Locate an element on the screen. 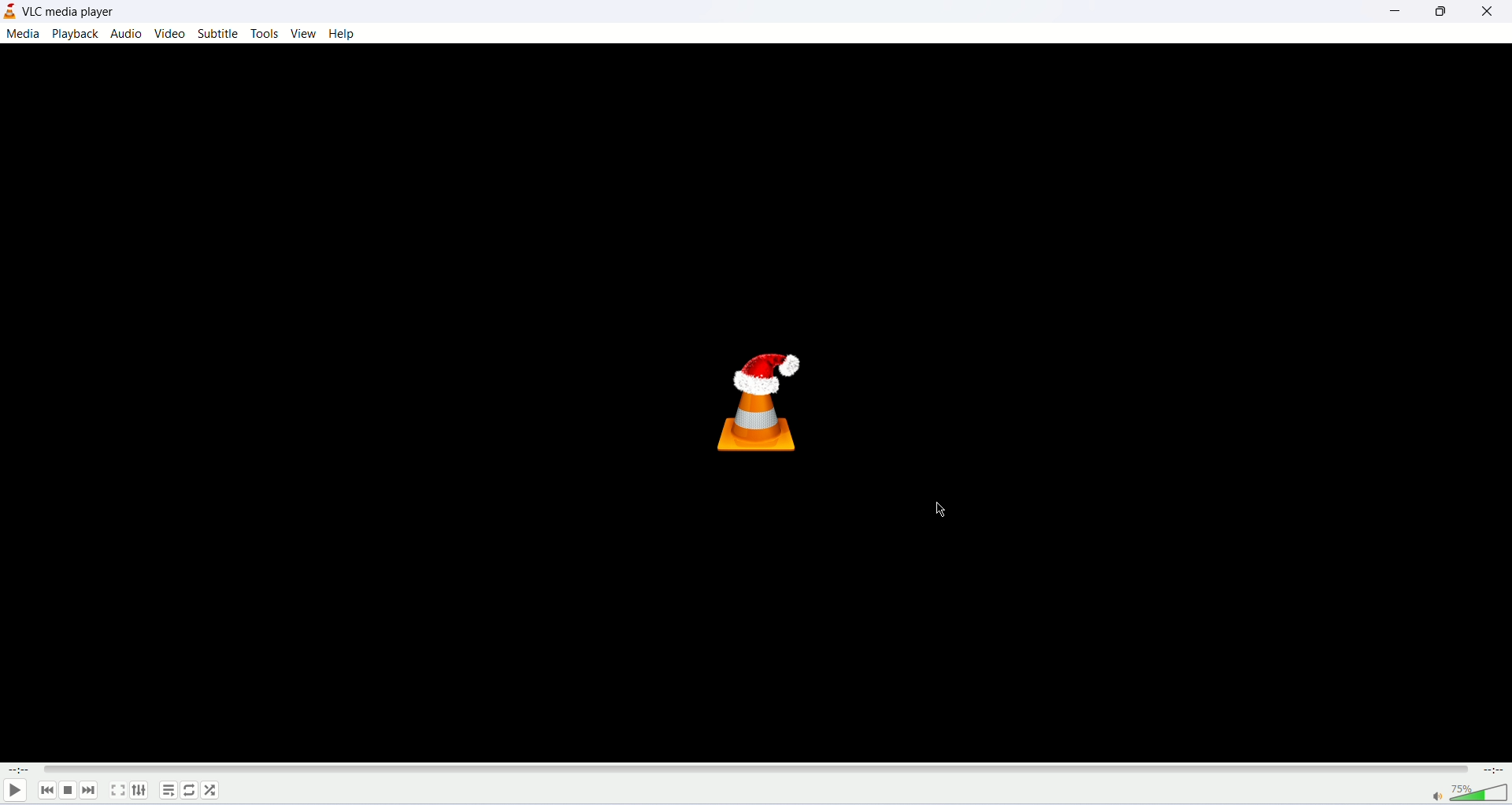 This screenshot has width=1512, height=805. maximize is located at coordinates (1443, 12).